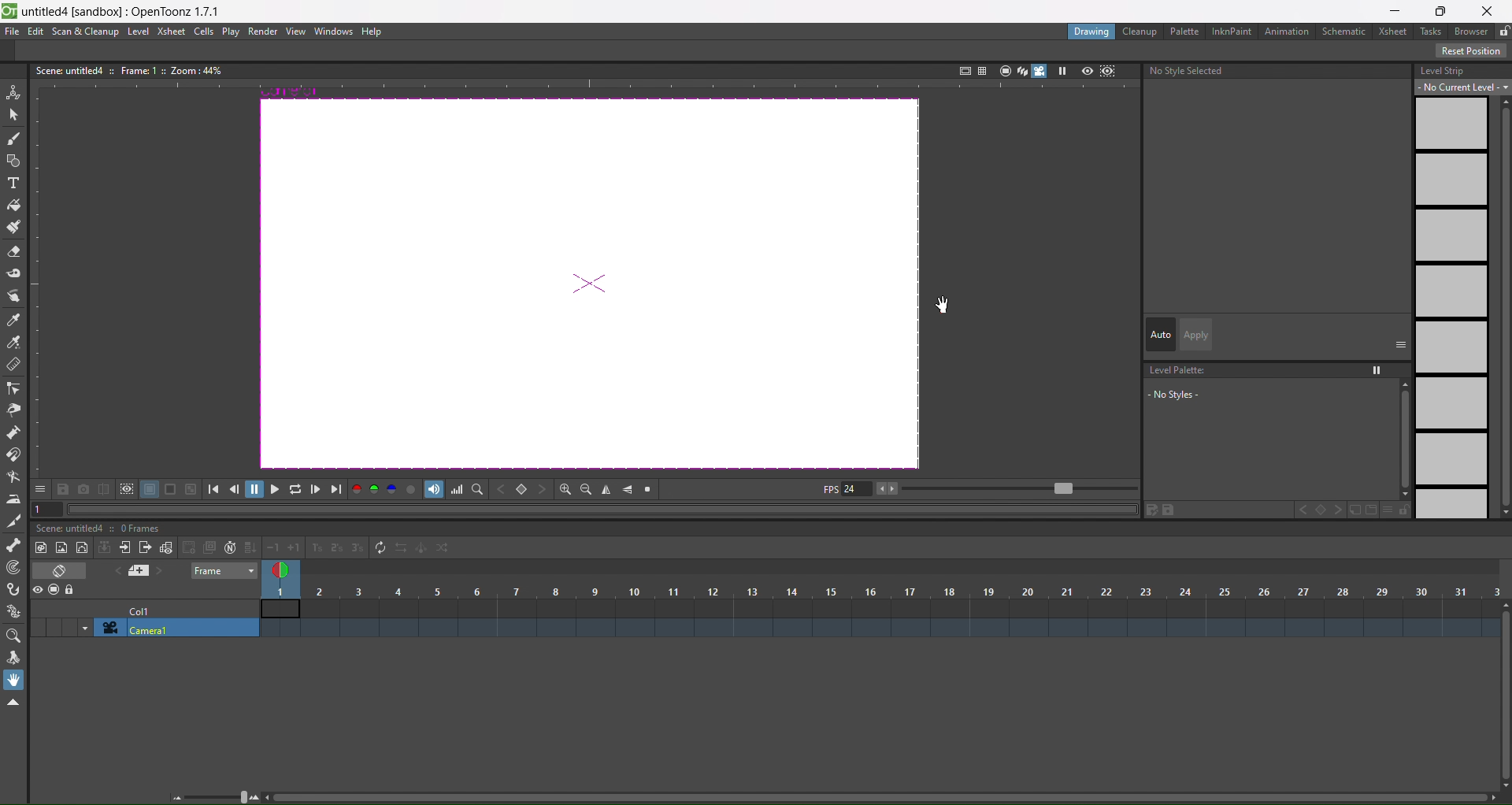 This screenshot has width=1512, height=805. I want to click on 0 frames, so click(145, 529).